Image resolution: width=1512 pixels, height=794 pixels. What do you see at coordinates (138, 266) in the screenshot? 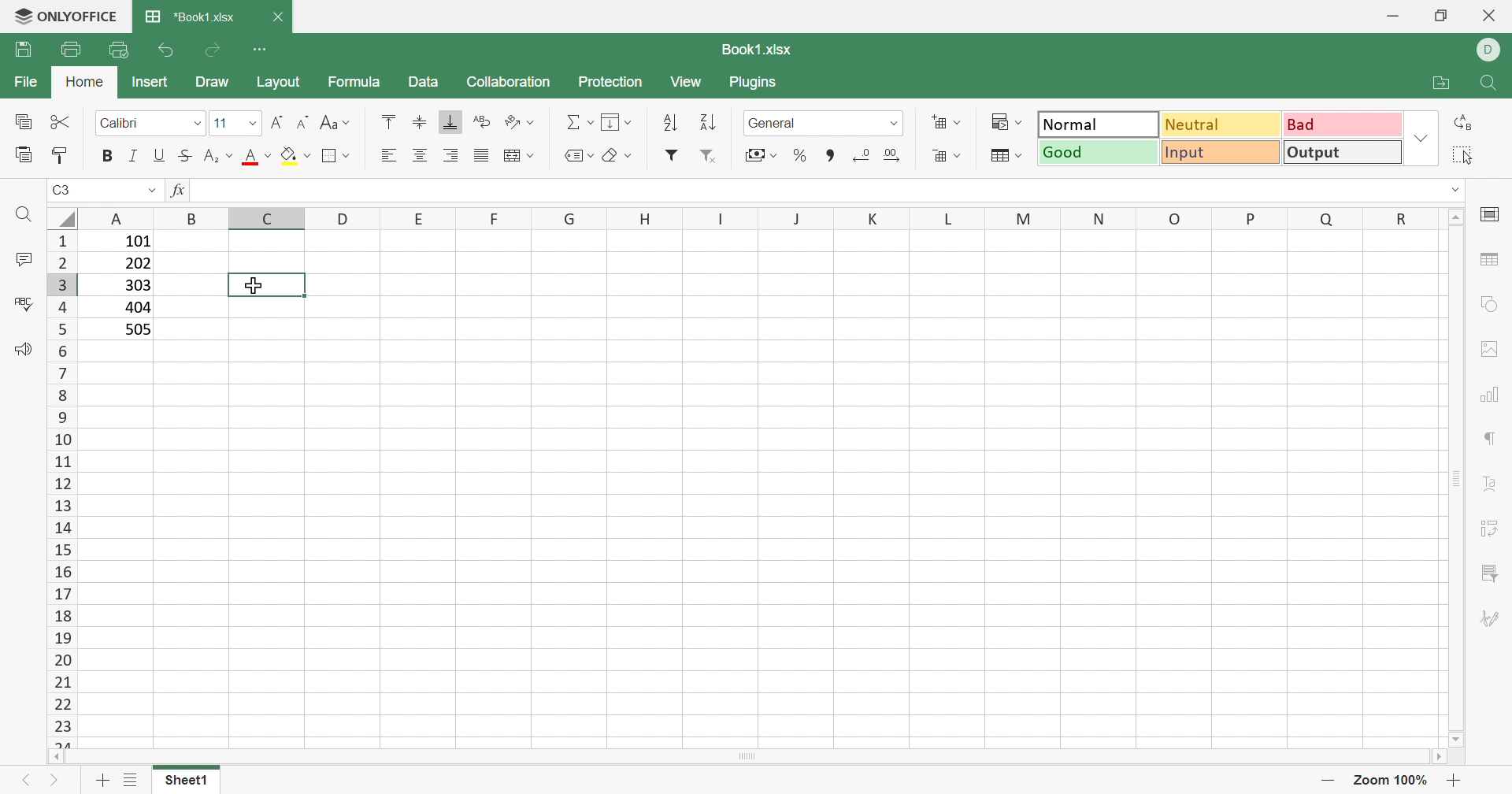
I see `202` at bounding box center [138, 266].